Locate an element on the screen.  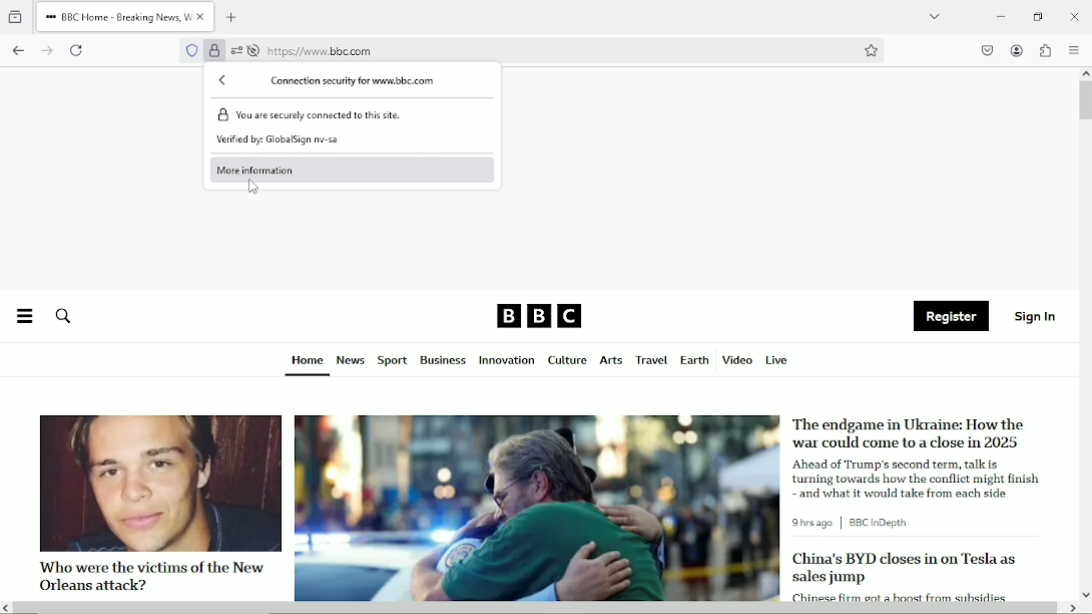
Search is located at coordinates (62, 316).